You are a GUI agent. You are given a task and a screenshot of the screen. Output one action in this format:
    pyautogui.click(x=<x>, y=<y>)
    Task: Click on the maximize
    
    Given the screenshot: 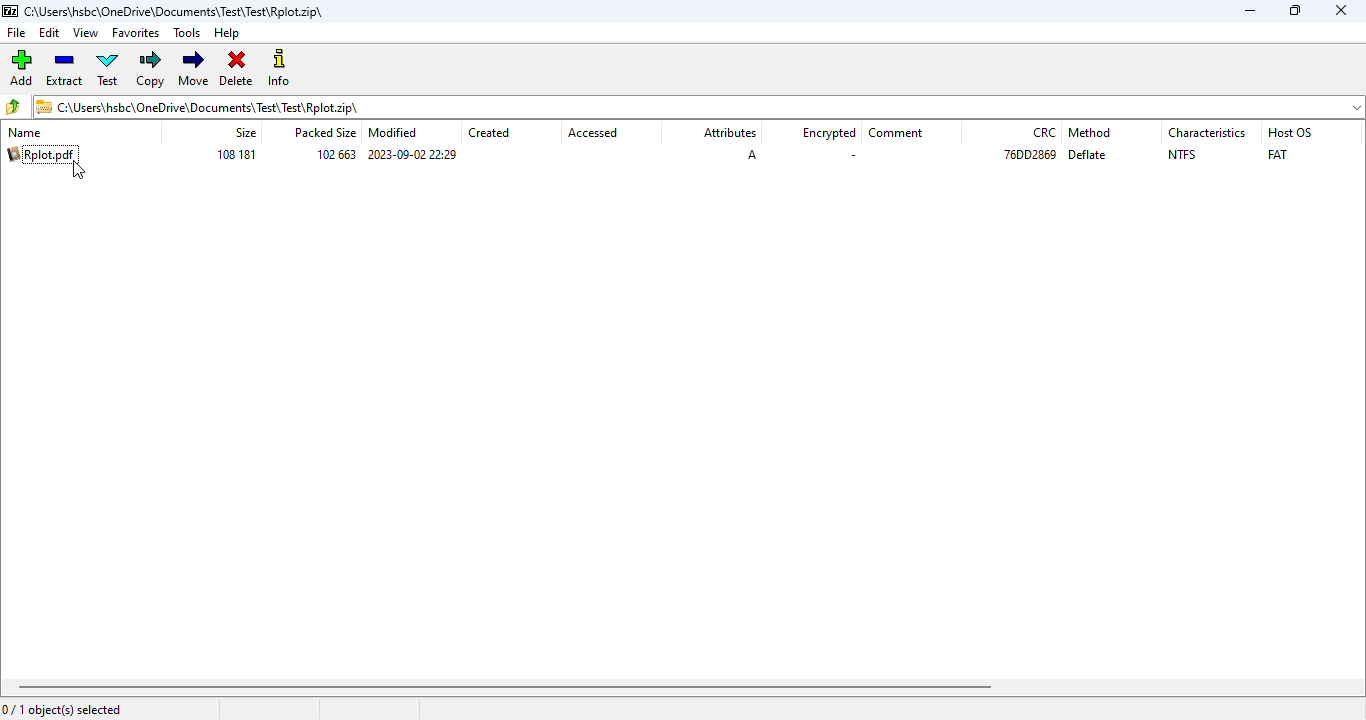 What is the action you would take?
    pyautogui.click(x=1295, y=10)
    